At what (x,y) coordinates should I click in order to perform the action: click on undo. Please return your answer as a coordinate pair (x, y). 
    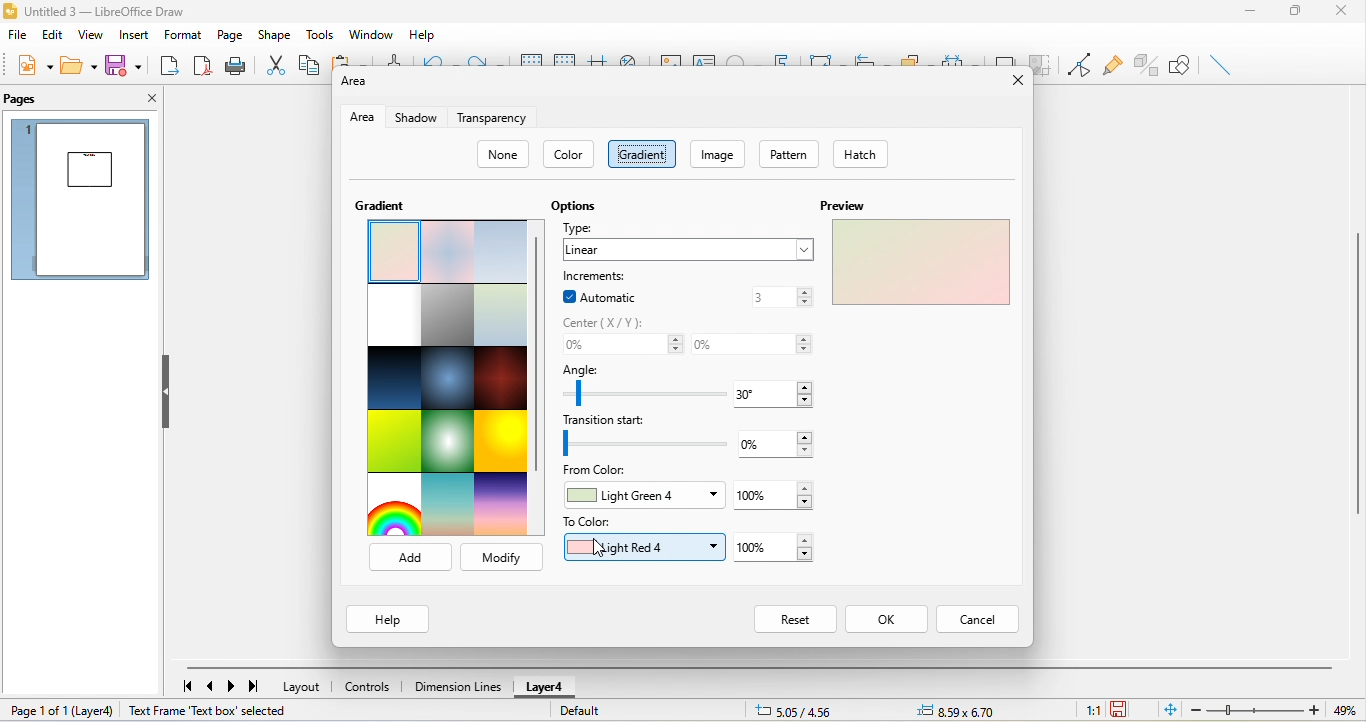
    Looking at the image, I should click on (437, 56).